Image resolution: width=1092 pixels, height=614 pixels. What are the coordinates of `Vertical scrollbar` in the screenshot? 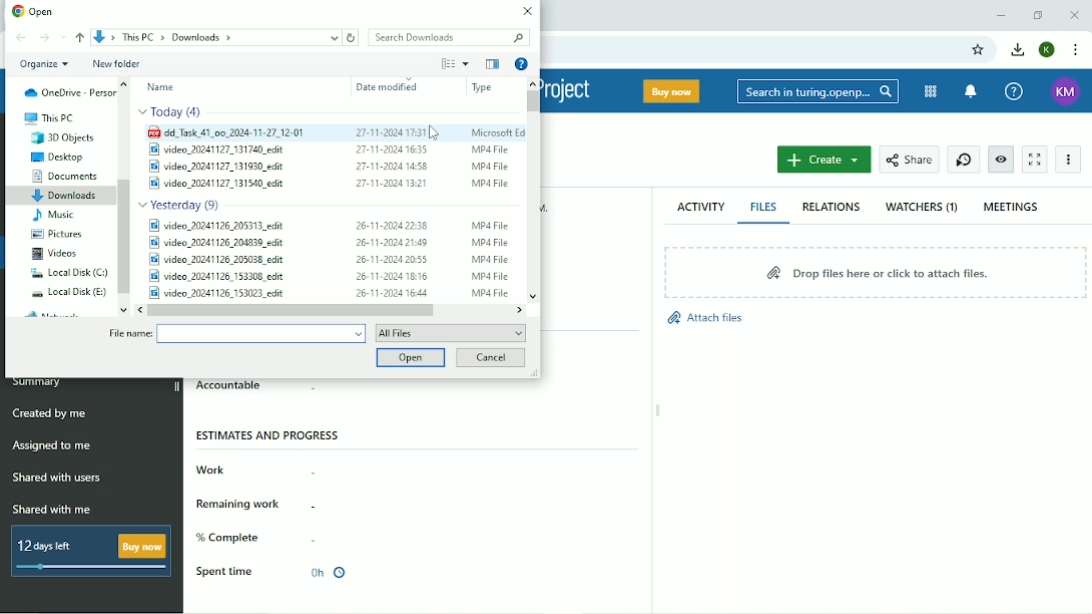 It's located at (124, 235).